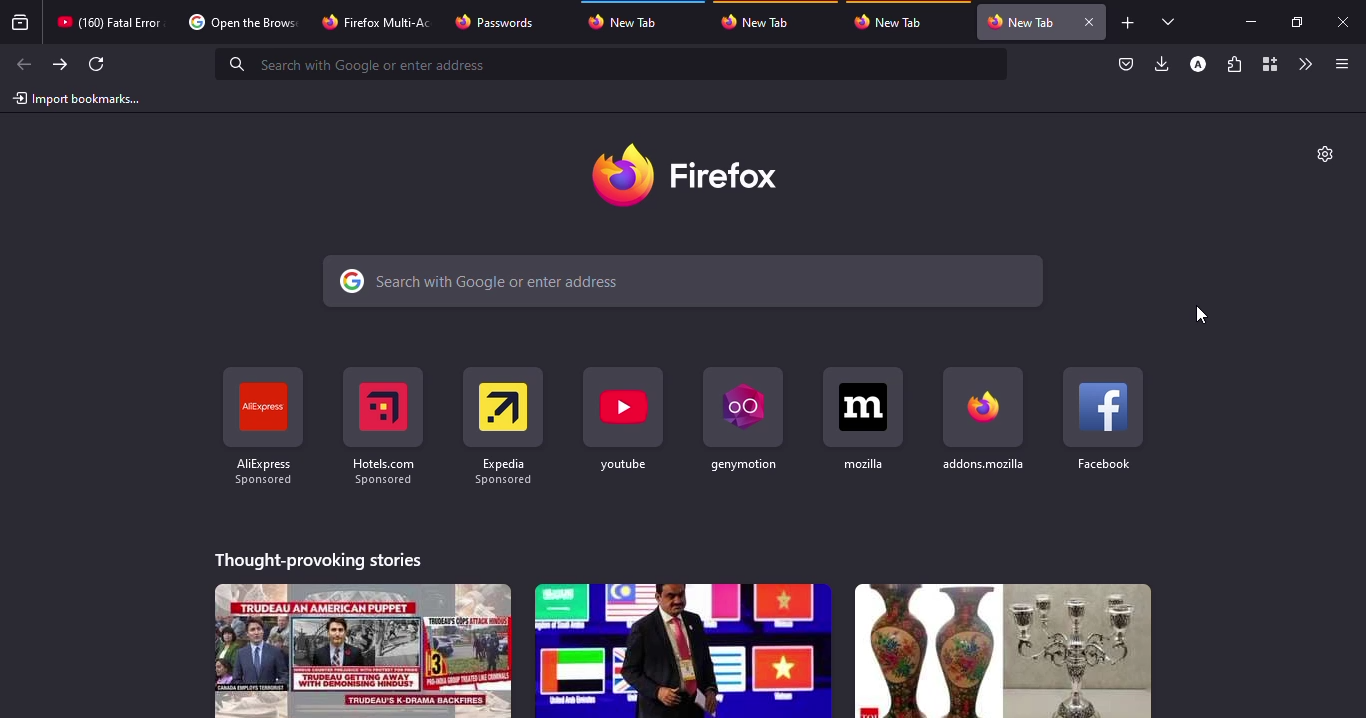  I want to click on settings, so click(1325, 154).